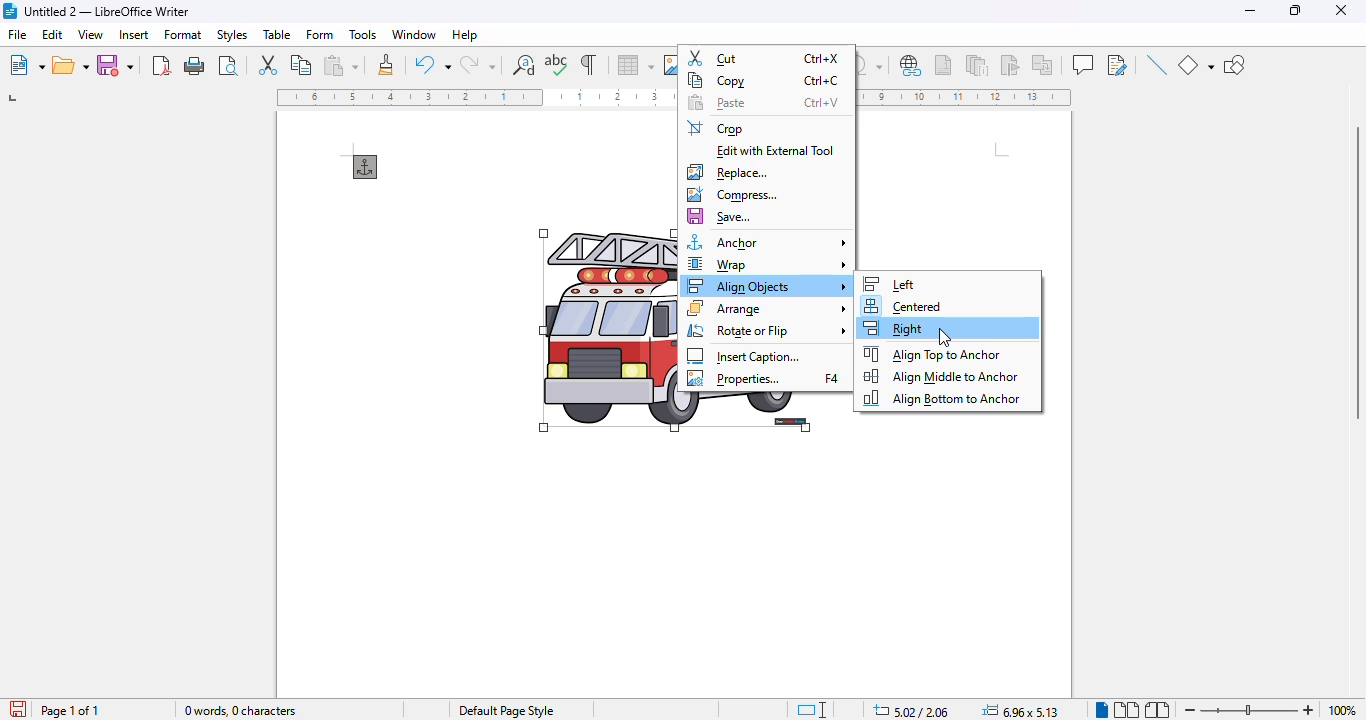 This screenshot has height=720, width=1366. I want to click on insert bookmark, so click(1009, 65).